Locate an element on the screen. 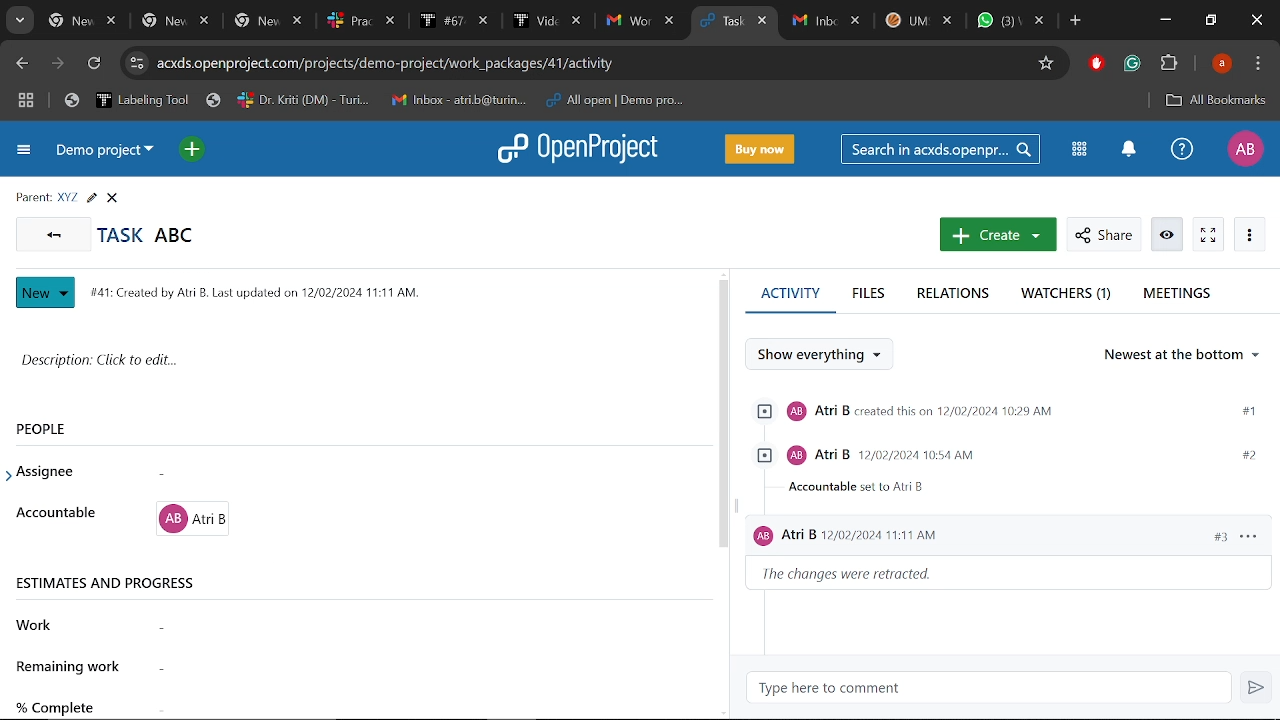 This screenshot has height=720, width=1280. Total amount of work is located at coordinates (399, 626).